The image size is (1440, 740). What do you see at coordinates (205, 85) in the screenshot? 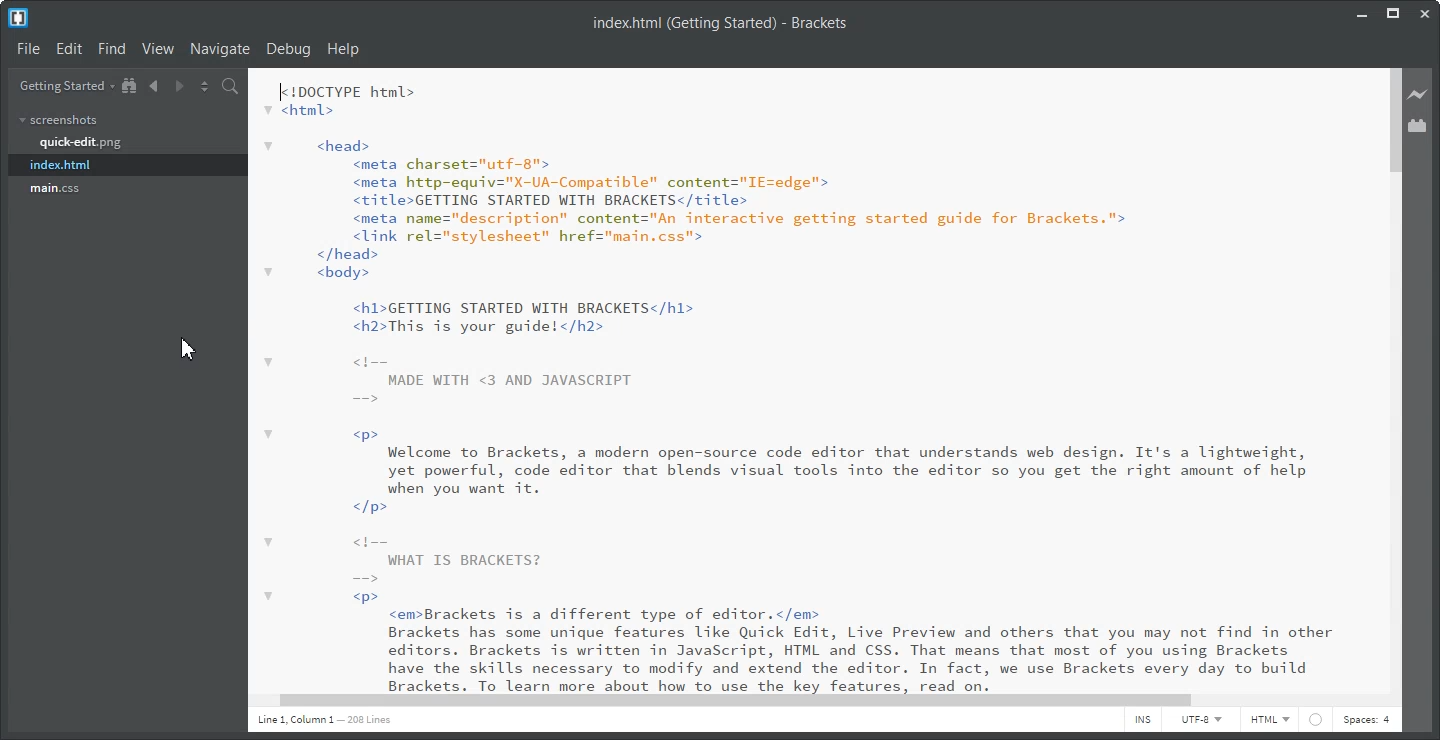
I see `Split the editor vertically and Horizontally` at bounding box center [205, 85].